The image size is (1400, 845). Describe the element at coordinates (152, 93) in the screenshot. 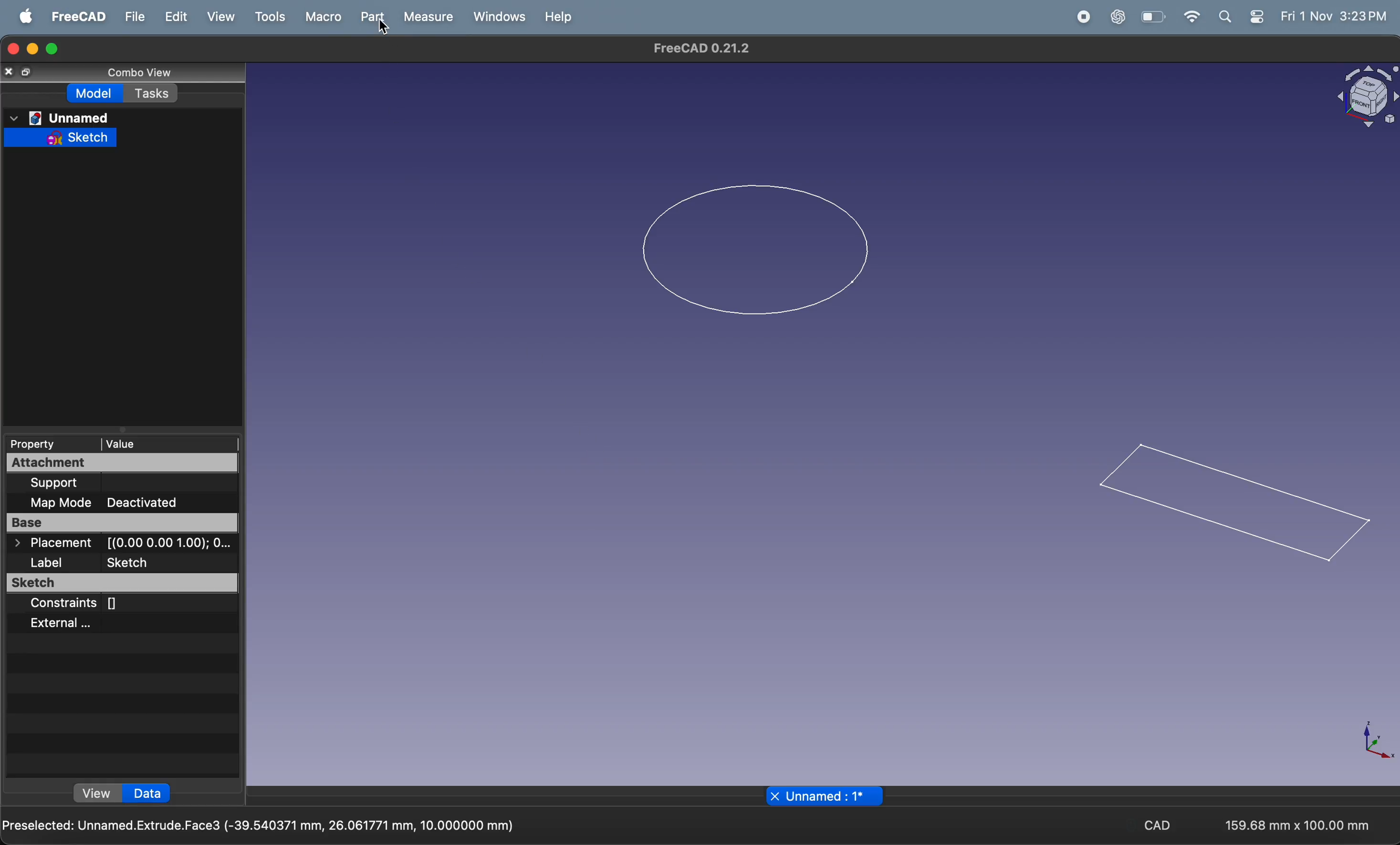

I see `Tasks` at that location.